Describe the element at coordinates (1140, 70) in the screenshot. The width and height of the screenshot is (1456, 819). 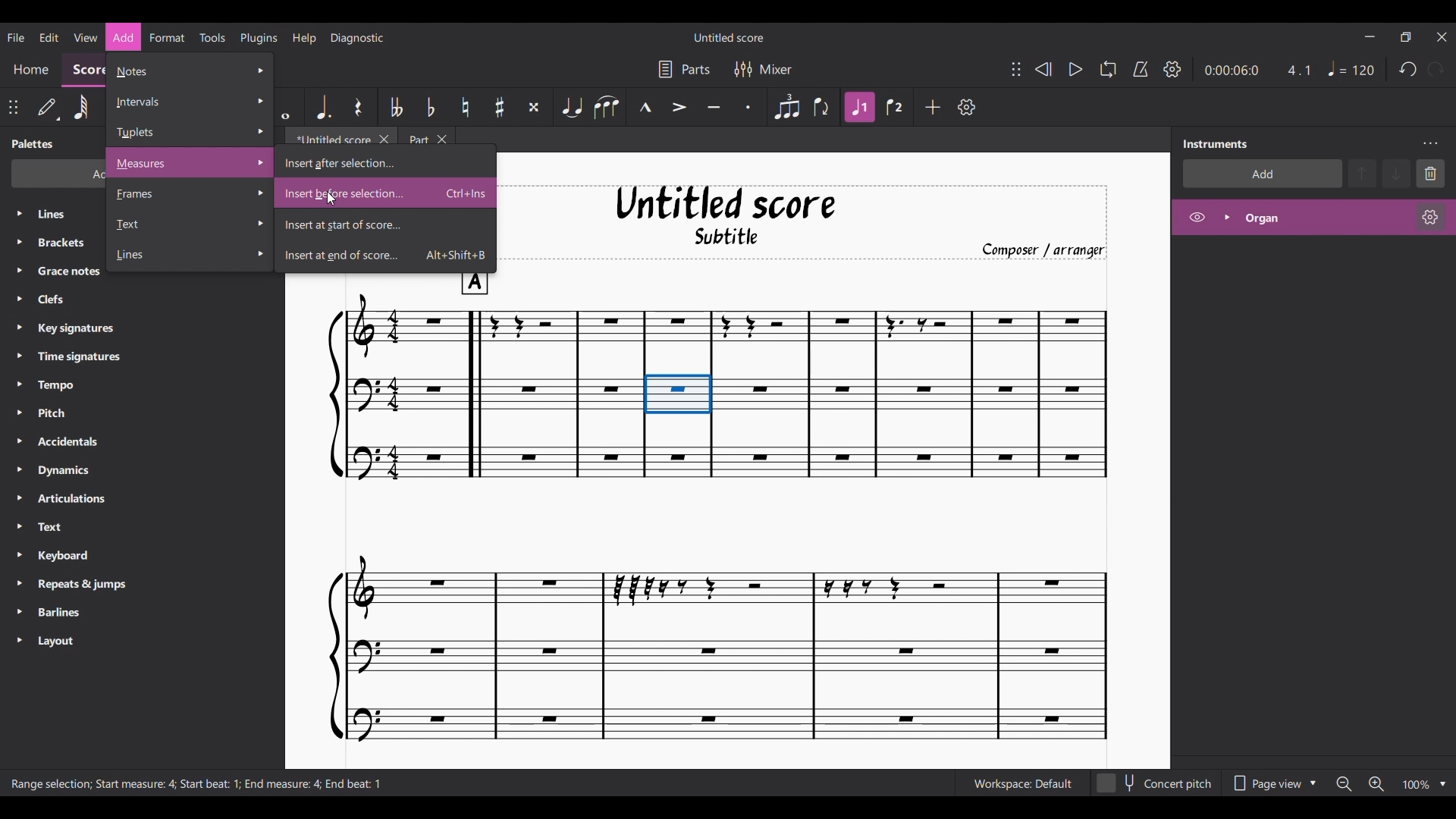
I see `Metronome` at that location.